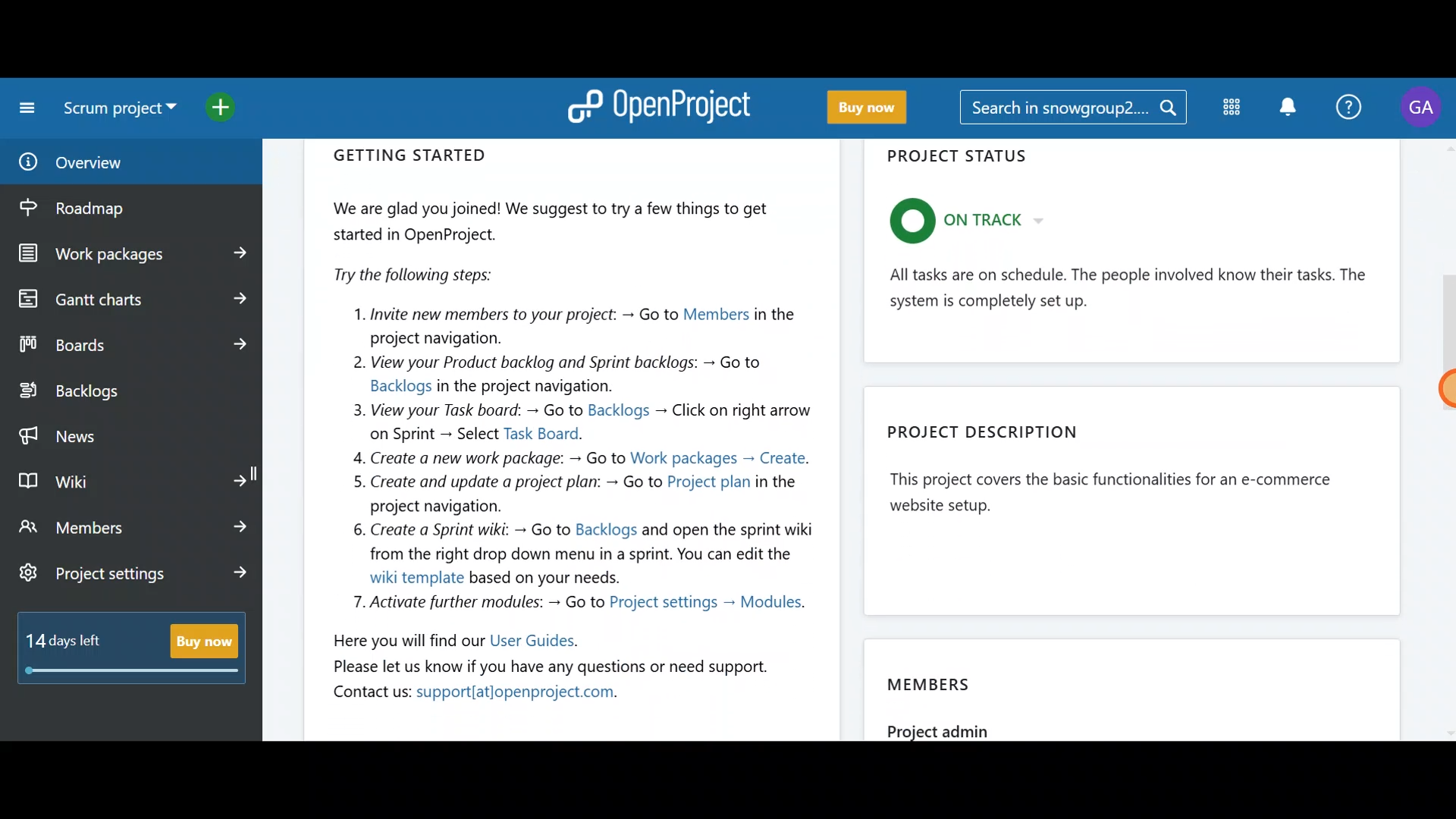 The image size is (1456, 819). What do you see at coordinates (118, 392) in the screenshot?
I see `Backlogs` at bounding box center [118, 392].